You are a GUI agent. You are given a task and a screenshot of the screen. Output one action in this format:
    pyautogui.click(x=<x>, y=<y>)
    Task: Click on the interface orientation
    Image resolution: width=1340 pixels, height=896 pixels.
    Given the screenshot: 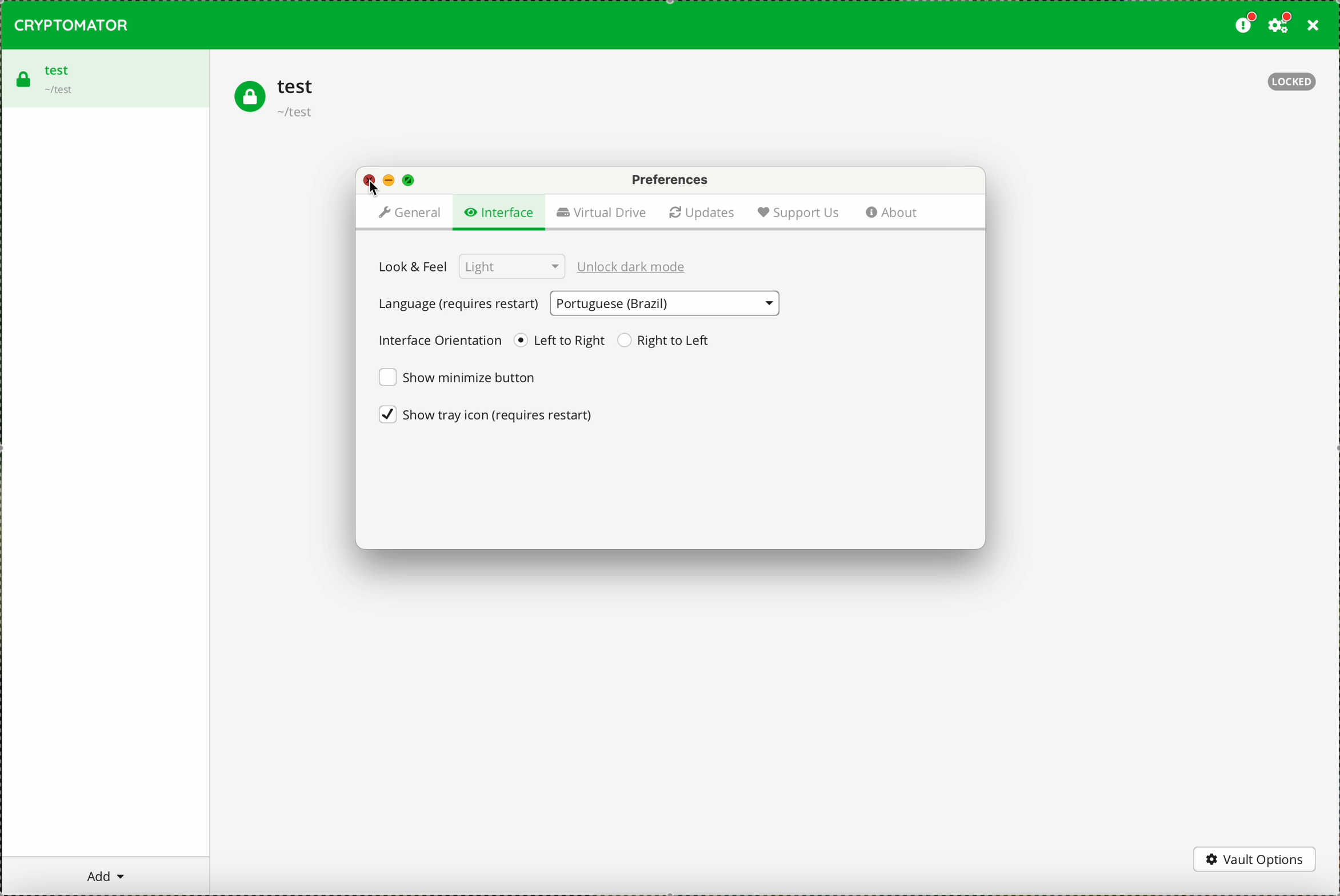 What is the action you would take?
    pyautogui.click(x=438, y=342)
    